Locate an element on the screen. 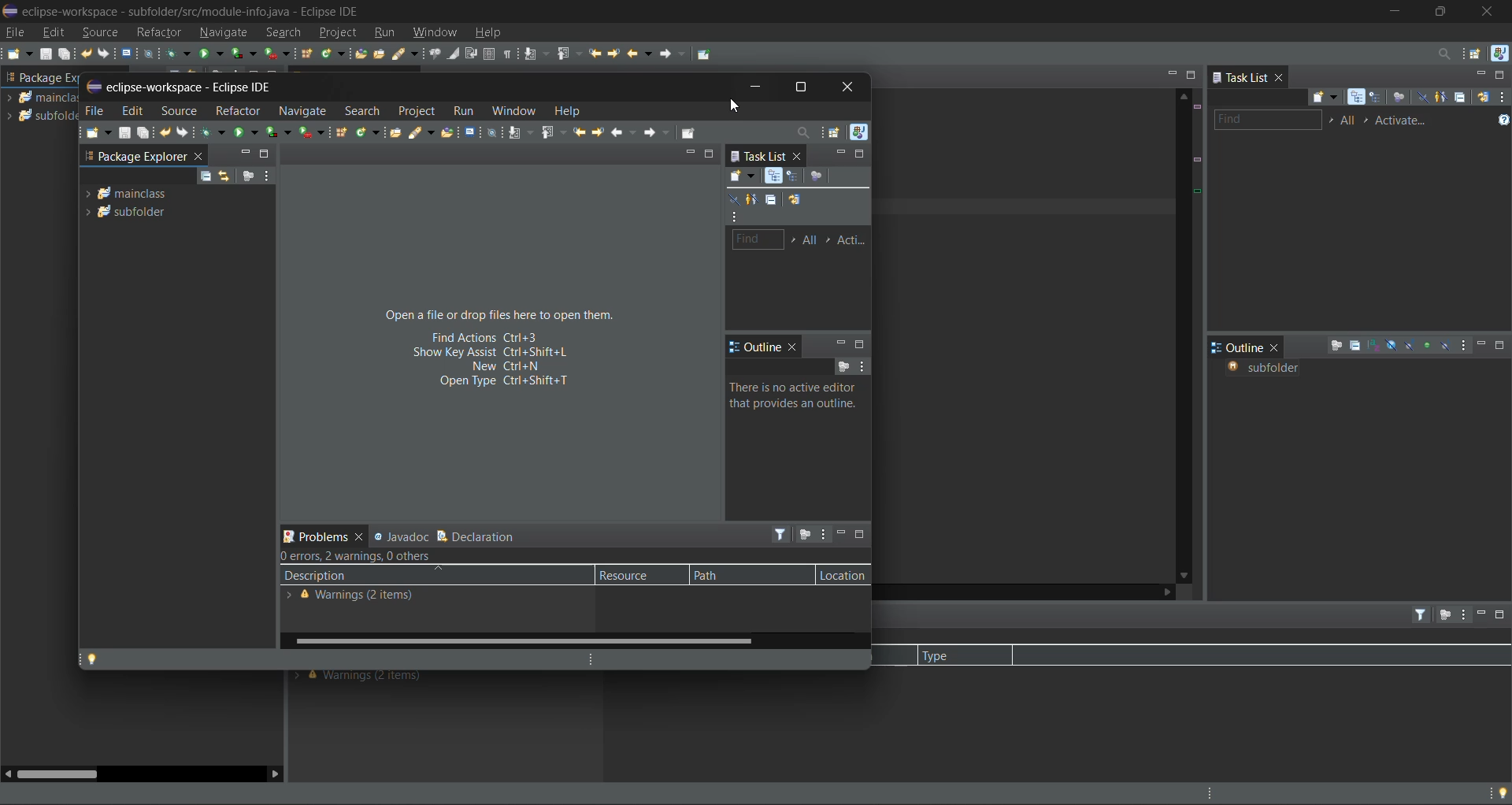 The width and height of the screenshot is (1512, 805). package explorer is located at coordinates (137, 156).